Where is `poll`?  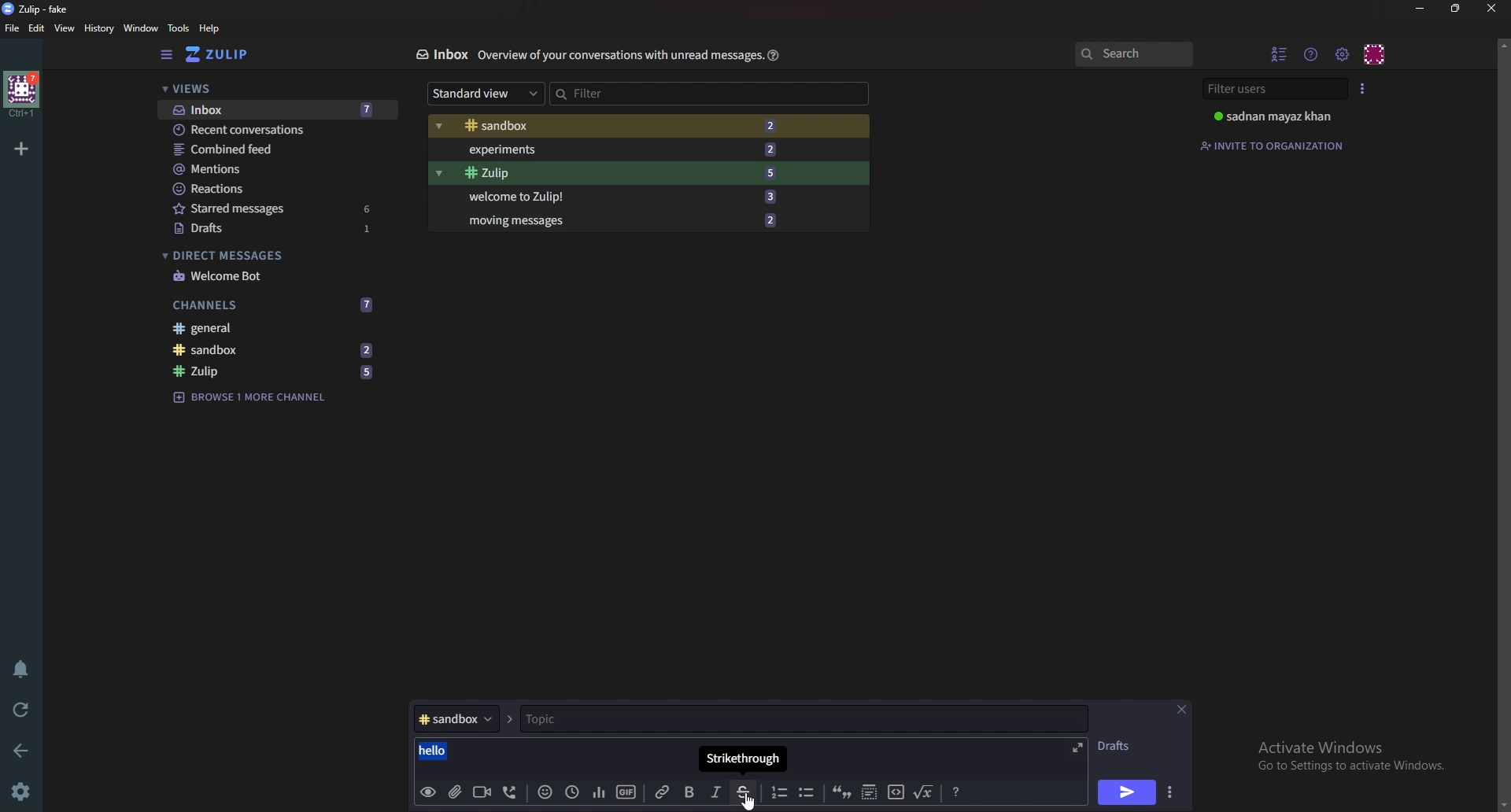 poll is located at coordinates (600, 792).